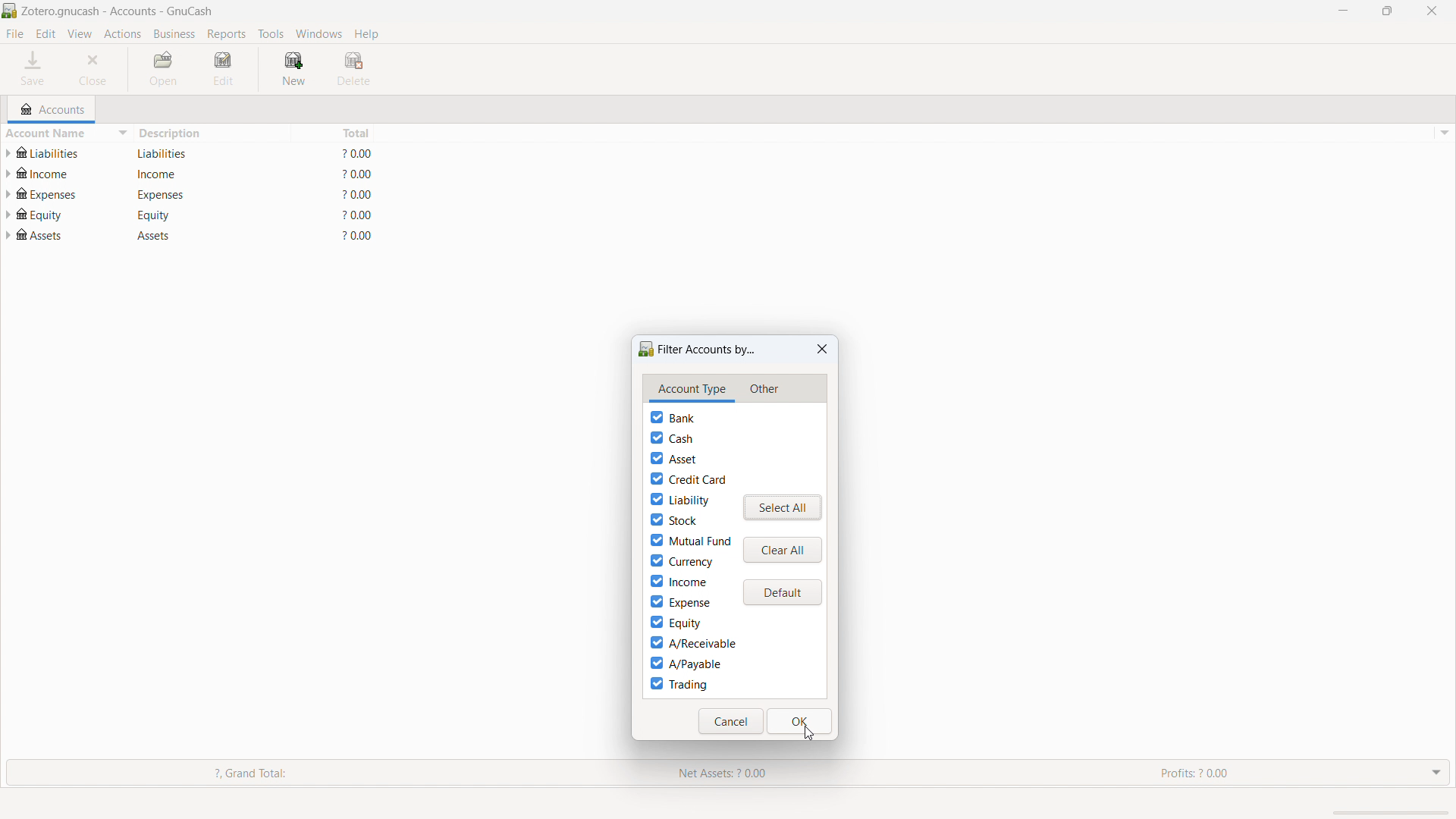 This screenshot has width=1456, height=819. What do you see at coordinates (172, 178) in the screenshot?
I see `description` at bounding box center [172, 178].